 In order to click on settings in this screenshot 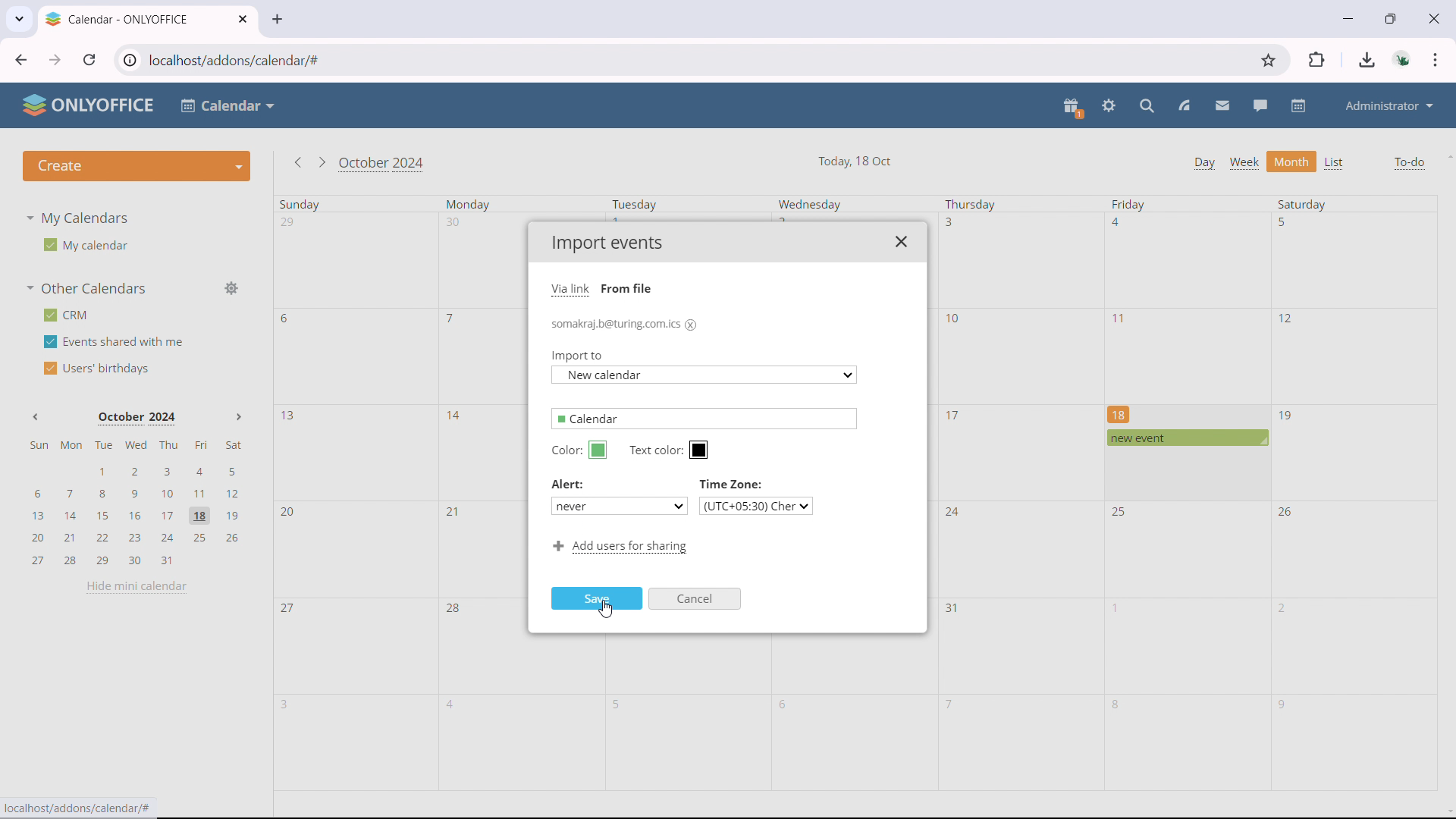, I will do `click(1109, 107)`.